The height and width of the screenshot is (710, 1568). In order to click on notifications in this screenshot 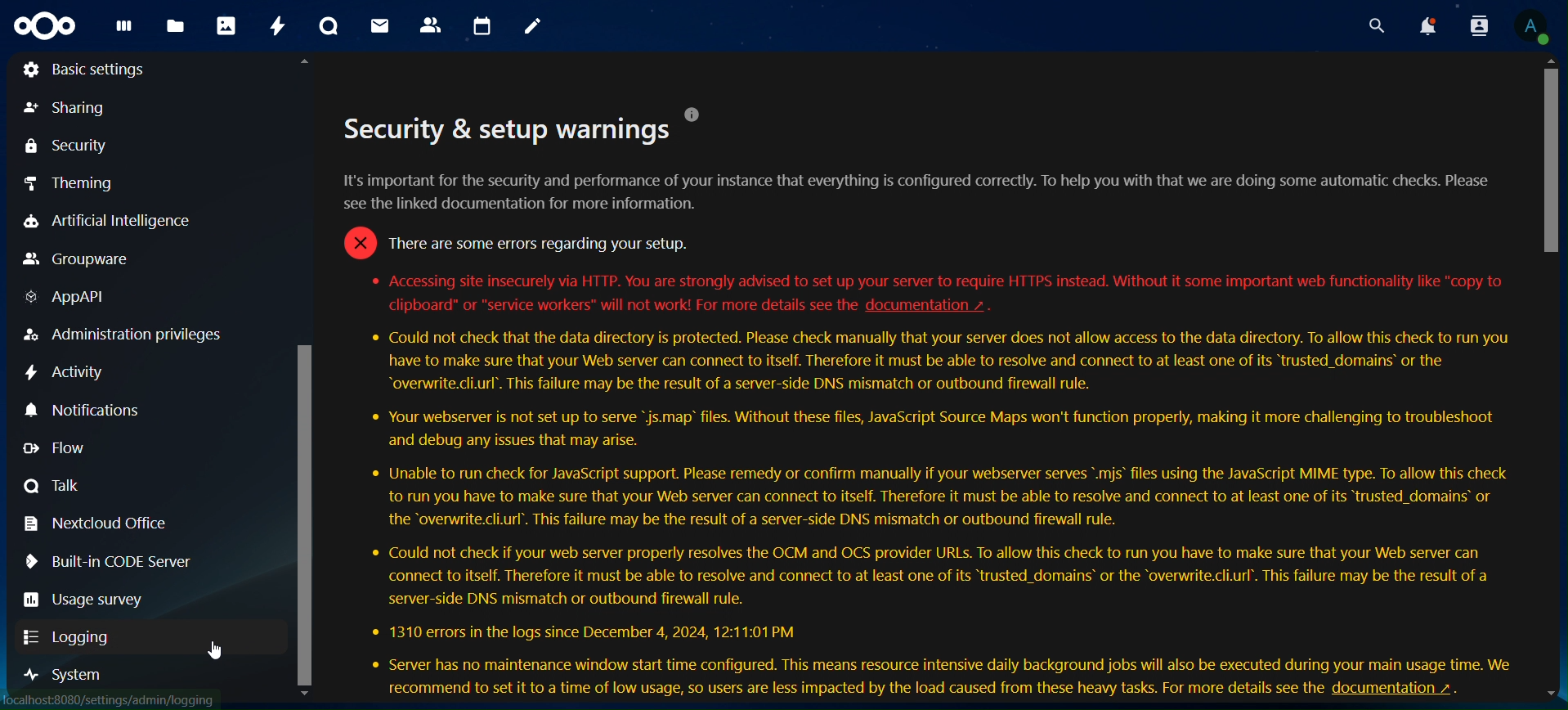, I will do `click(82, 411)`.